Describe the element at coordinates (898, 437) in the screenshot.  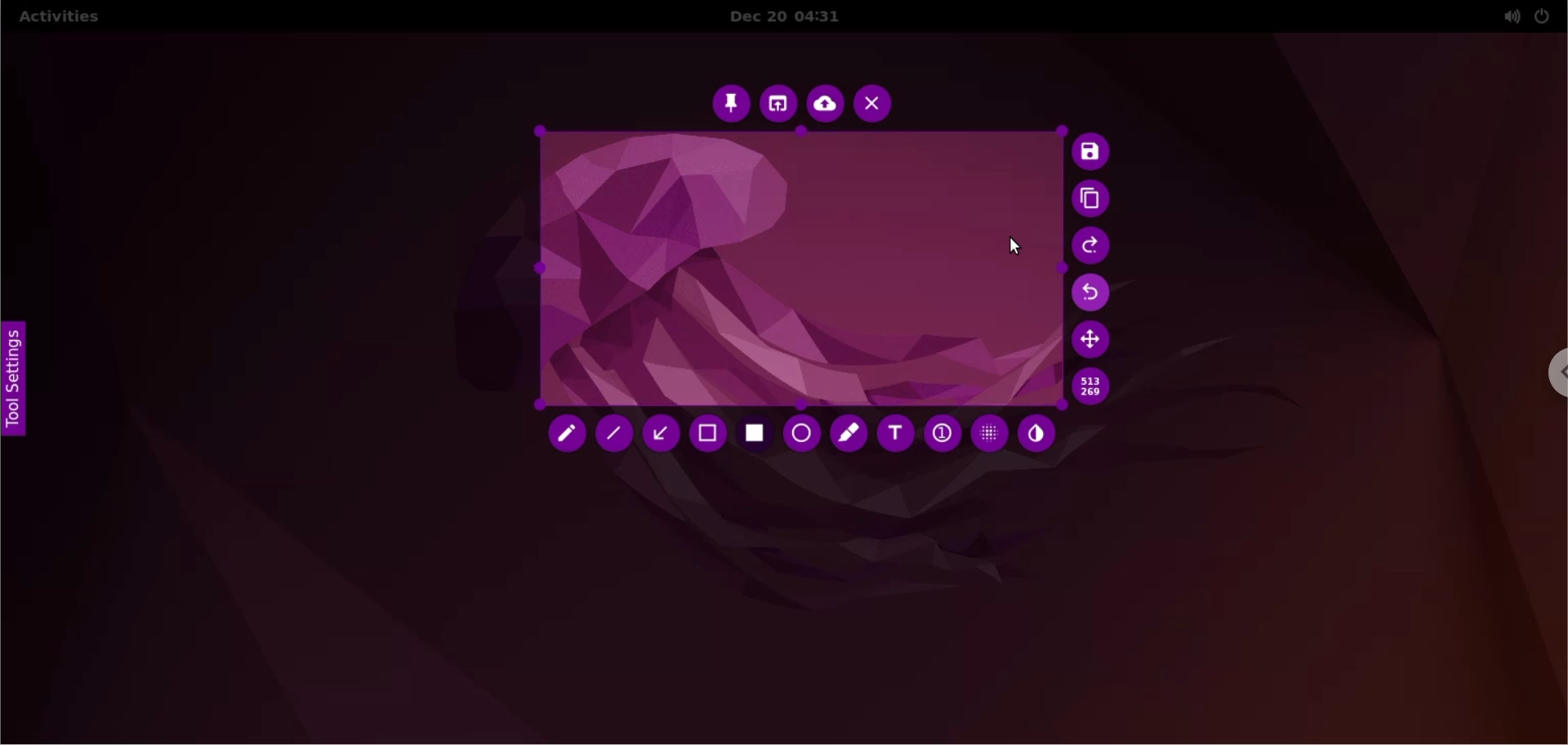
I see `add text` at that location.